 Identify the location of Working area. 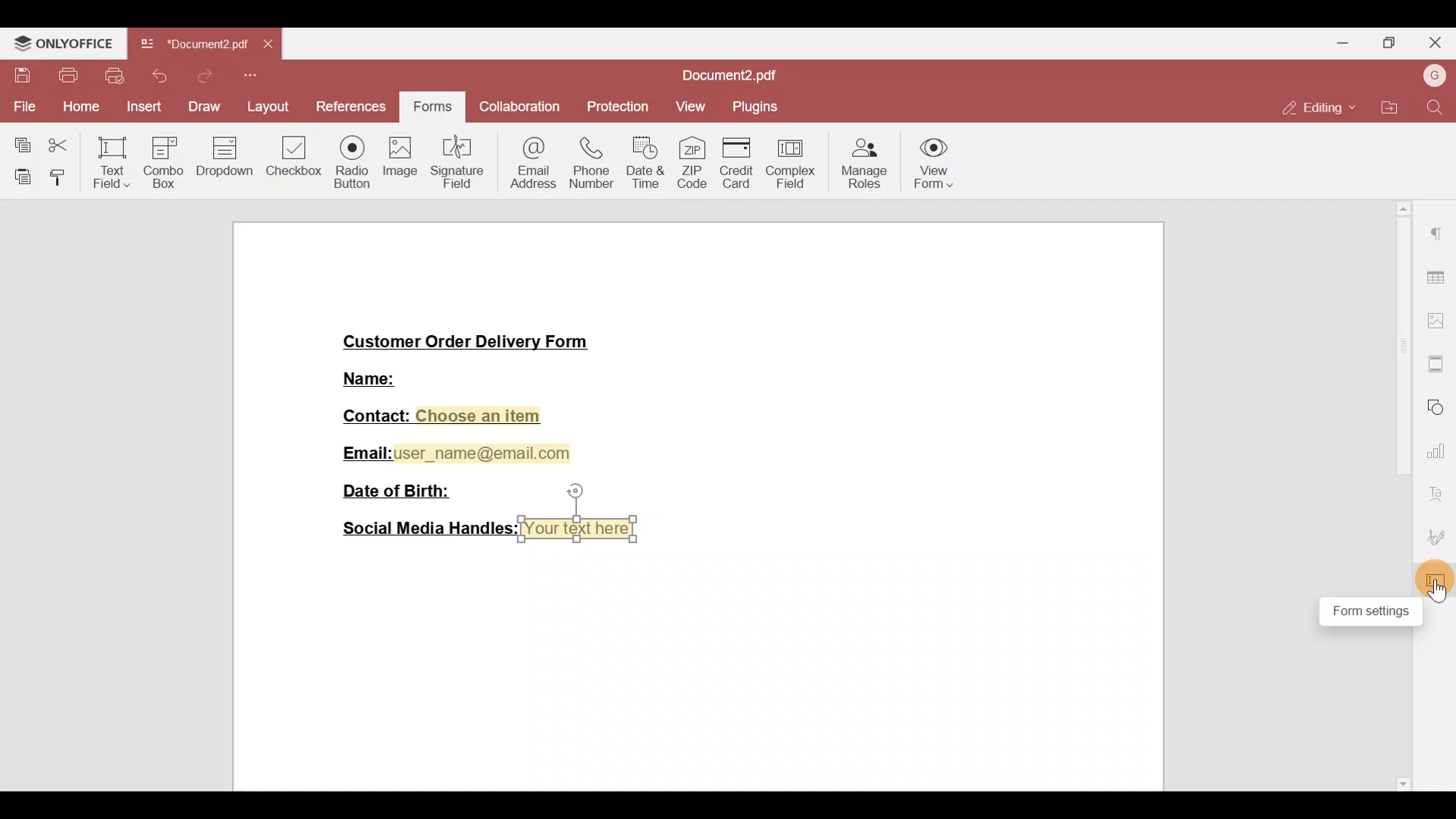
(702, 670).